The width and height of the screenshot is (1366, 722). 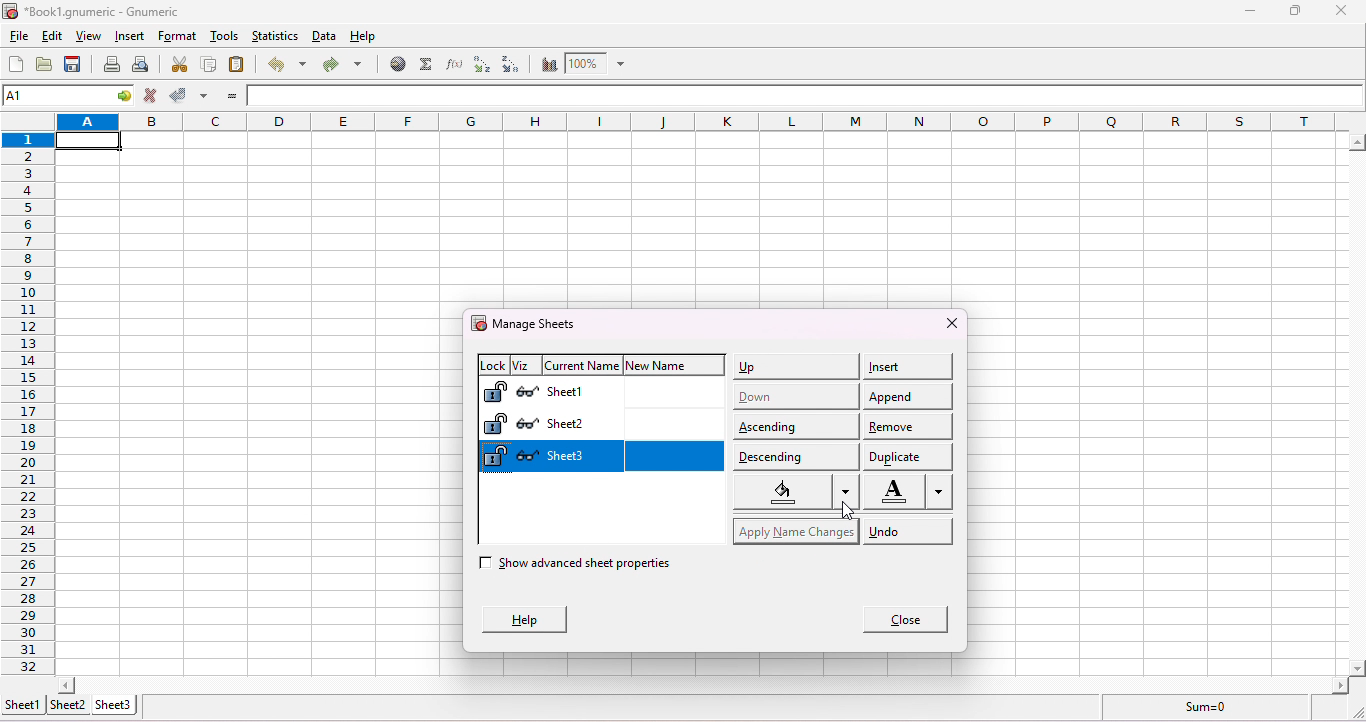 I want to click on paste, so click(x=241, y=67).